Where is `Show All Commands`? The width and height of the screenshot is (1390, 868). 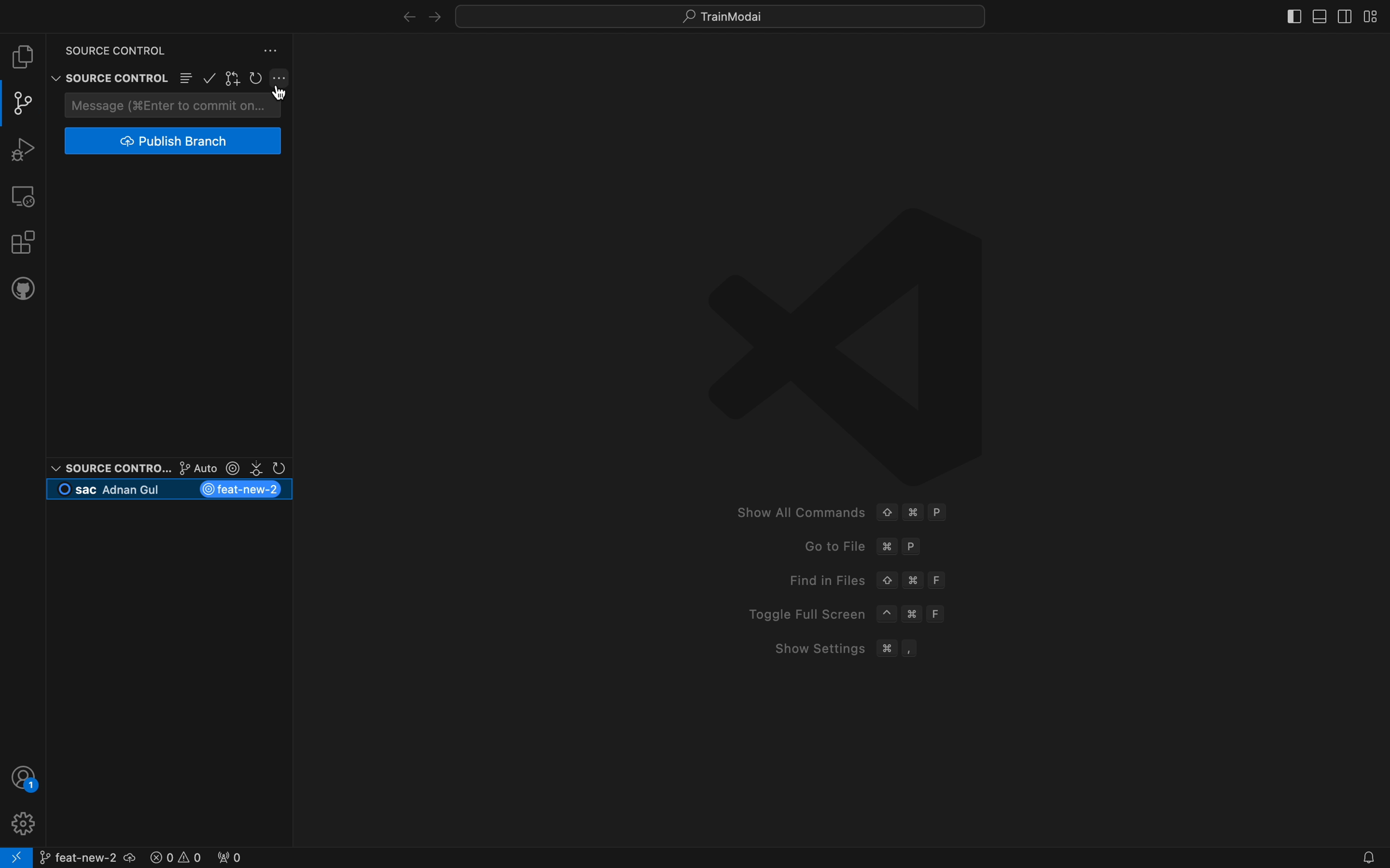 Show All Commands is located at coordinates (796, 513).